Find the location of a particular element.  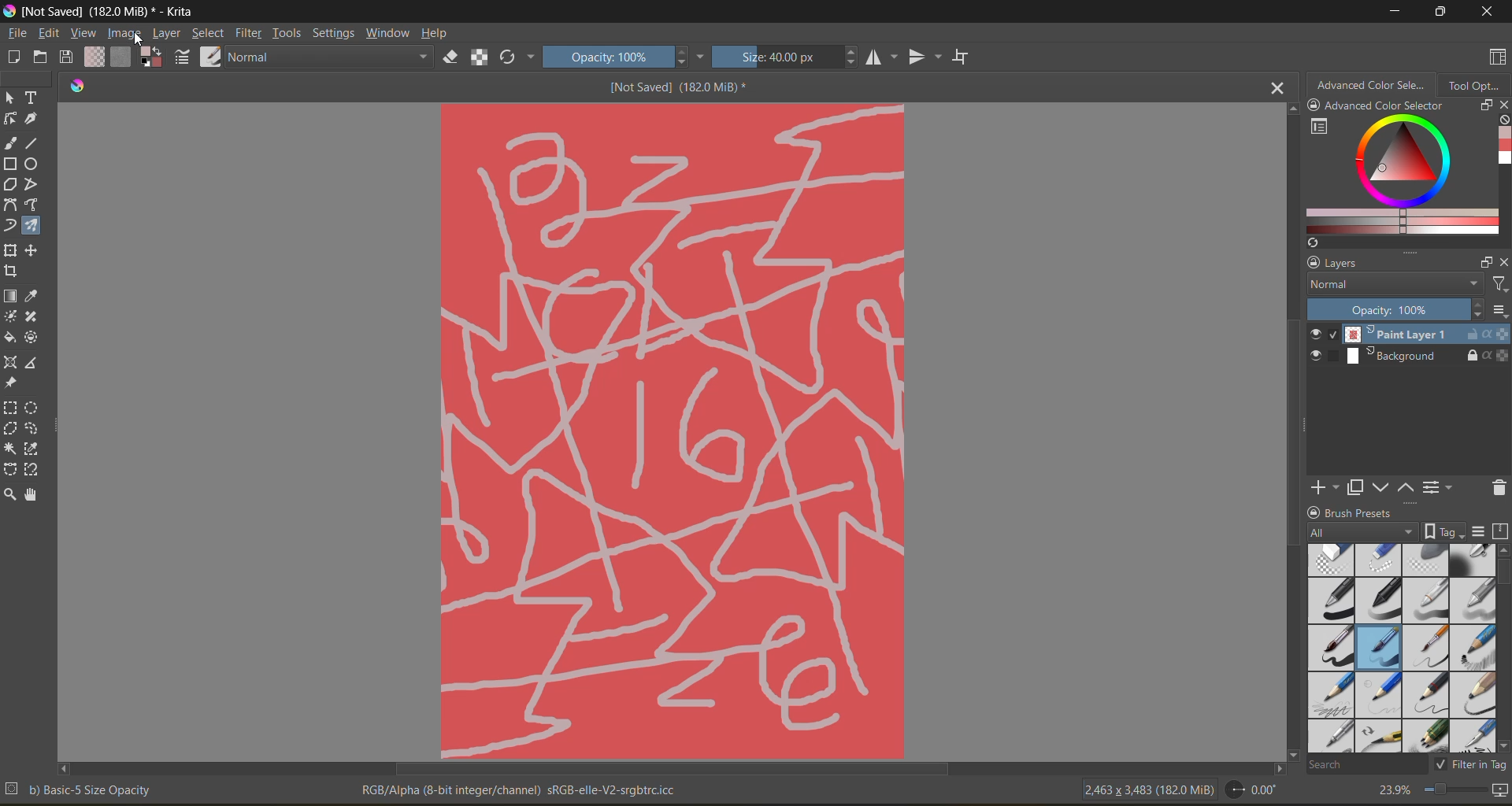

set eraser mode is located at coordinates (444, 59).